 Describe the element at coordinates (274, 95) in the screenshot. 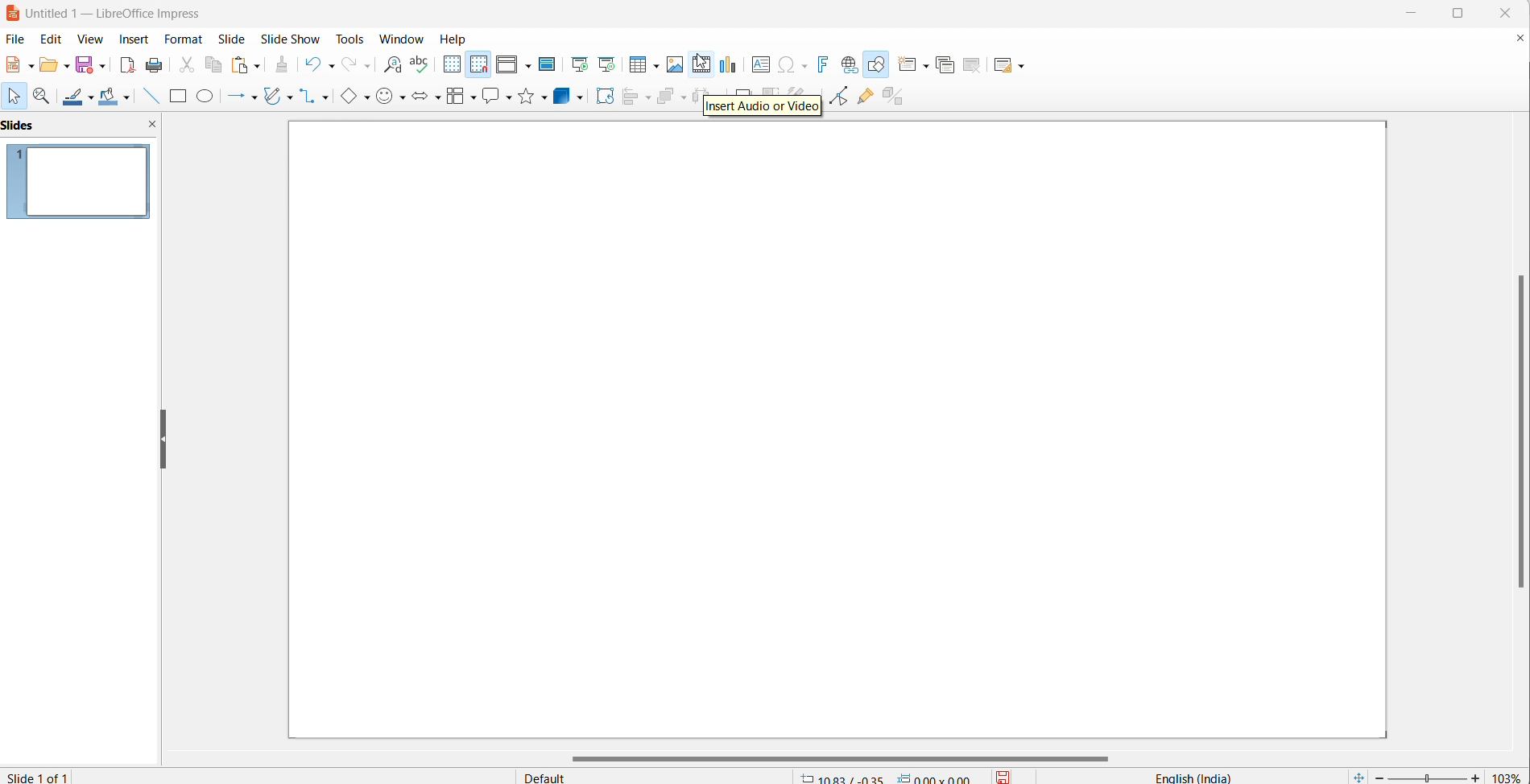

I see `curve and polygons` at that location.